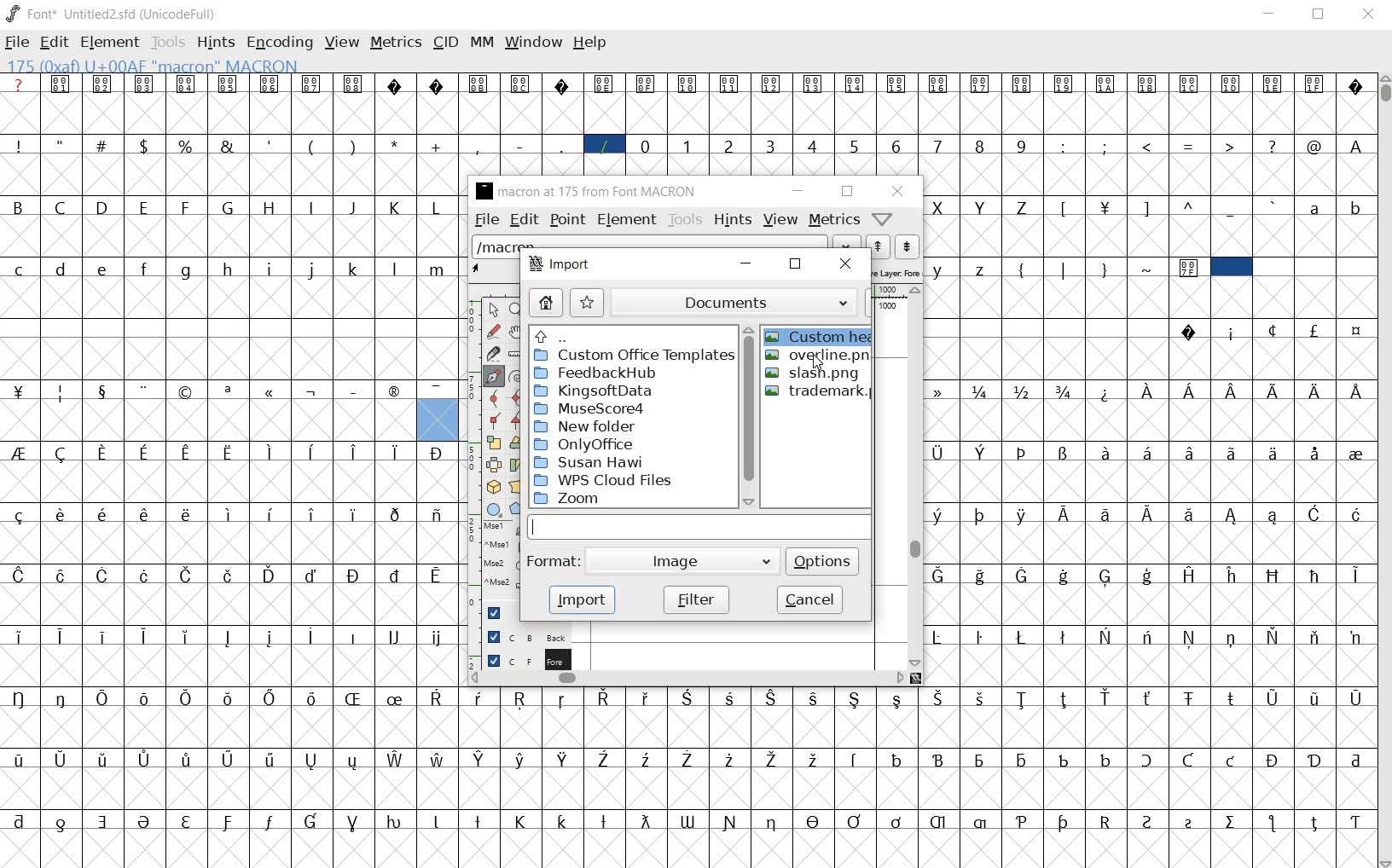 The width and height of the screenshot is (1392, 868). What do you see at coordinates (20, 698) in the screenshot?
I see `Symbol` at bounding box center [20, 698].